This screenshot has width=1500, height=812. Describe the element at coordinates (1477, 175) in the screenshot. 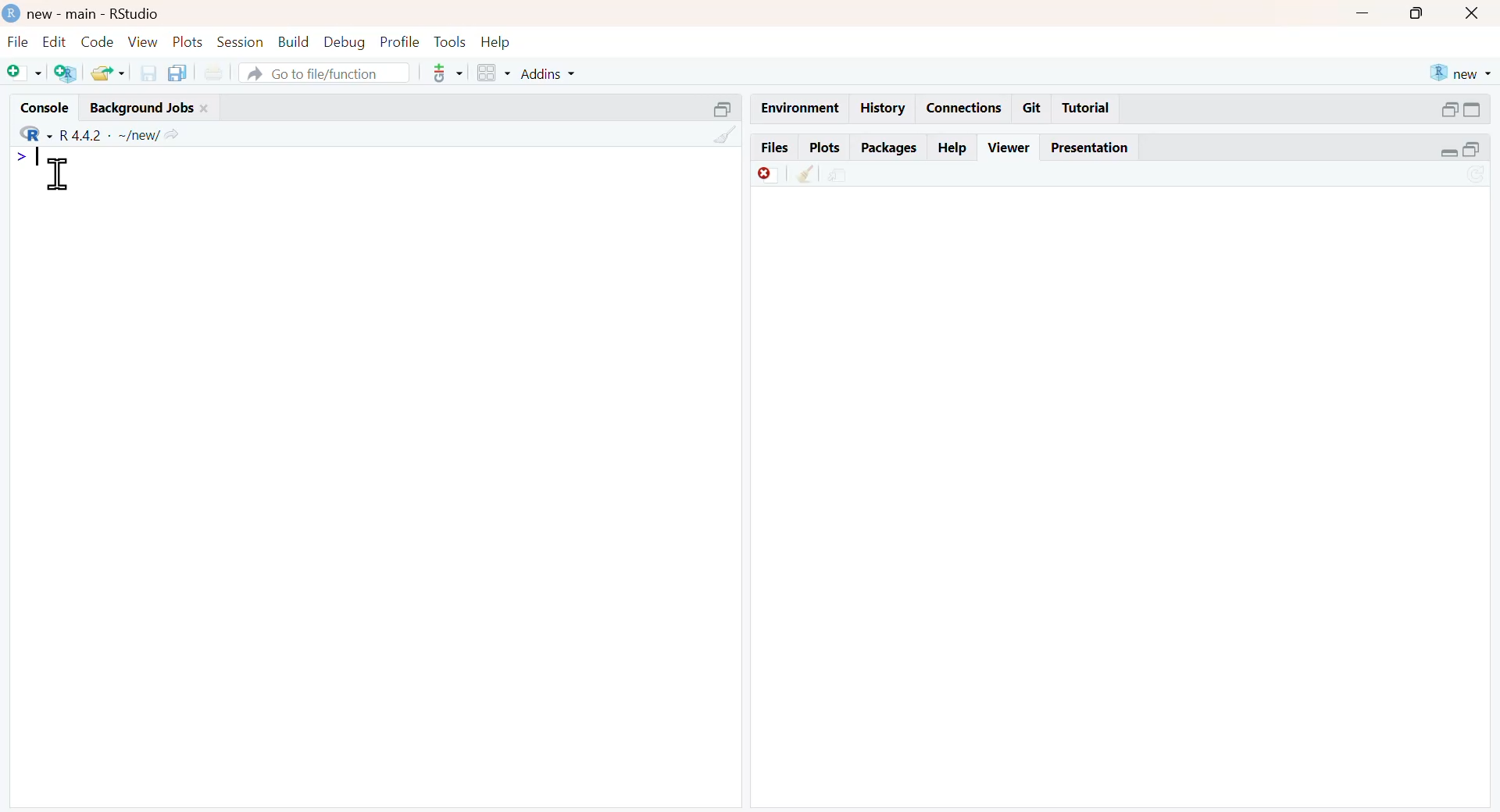

I see `sync` at that location.